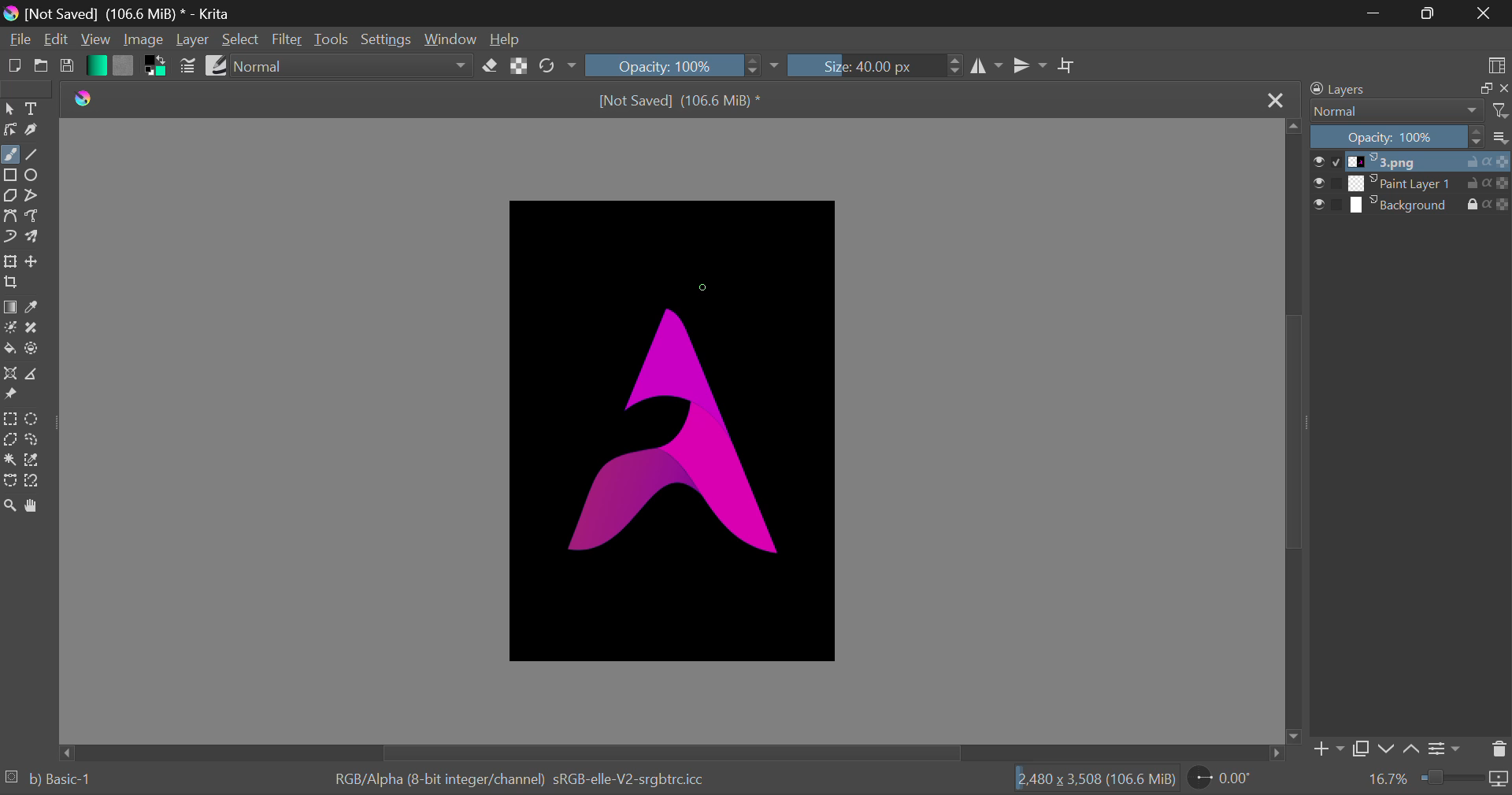  Describe the element at coordinates (532, 780) in the screenshot. I see `RGB/Alpha (8-bit integer/channel) sRGB-elle-V2-srgbtrc.icc` at that location.